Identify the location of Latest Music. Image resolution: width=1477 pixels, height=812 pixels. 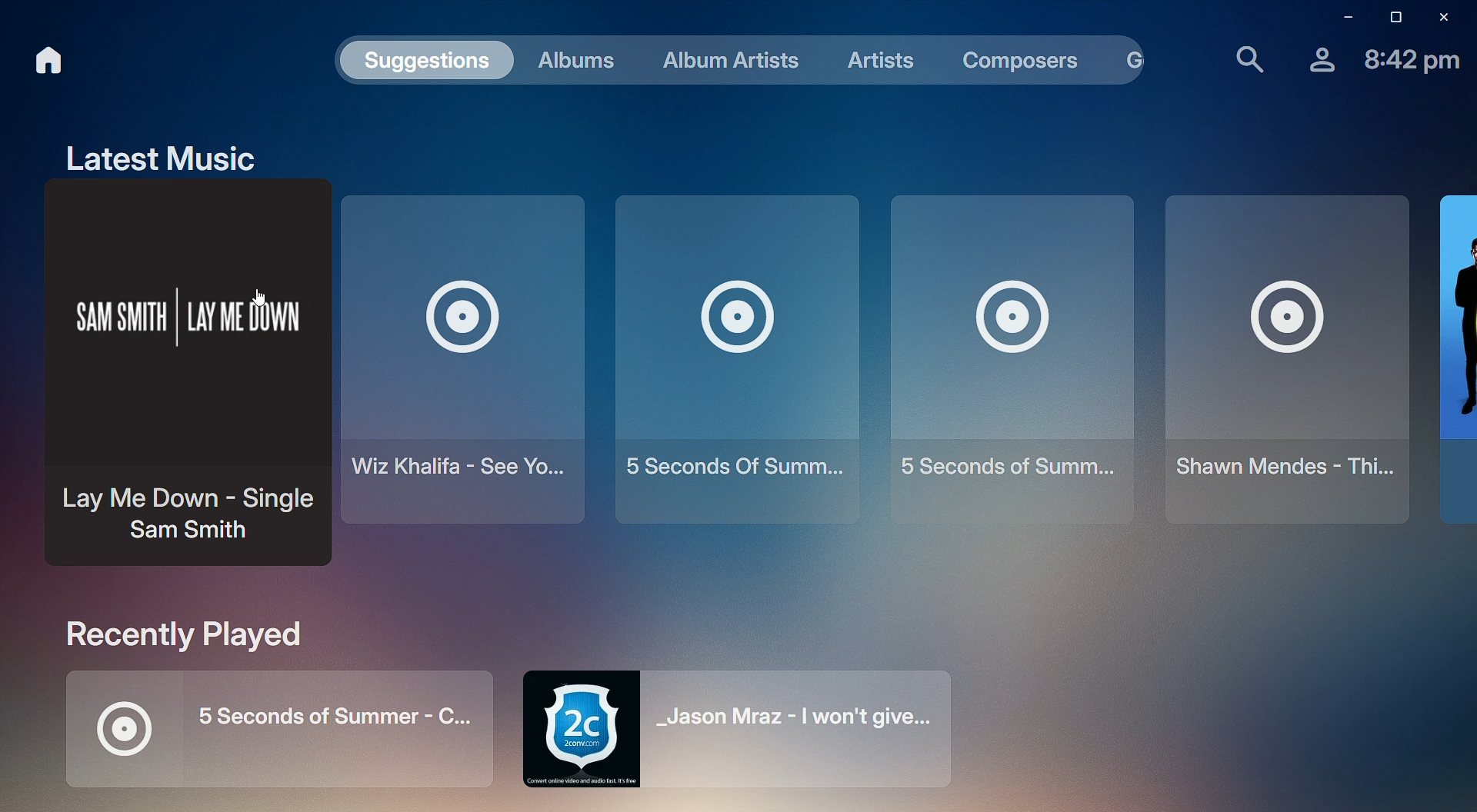
(160, 158).